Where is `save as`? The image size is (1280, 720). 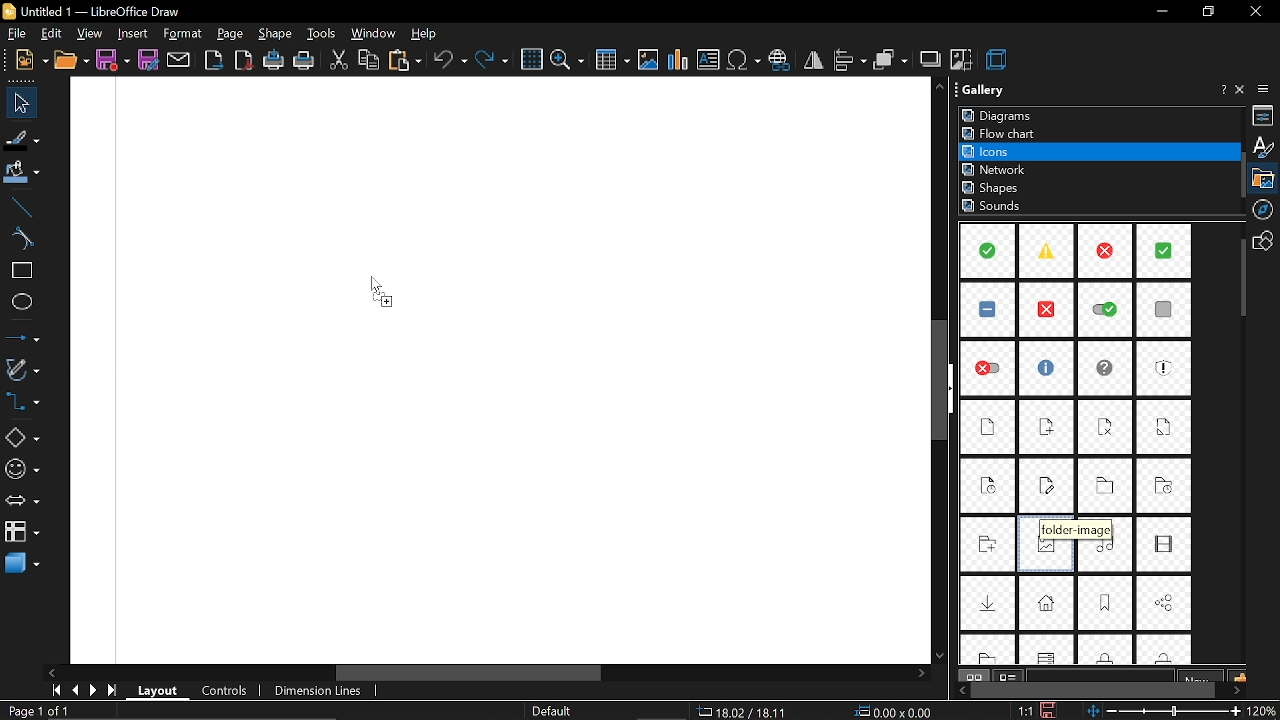
save as is located at coordinates (150, 60).